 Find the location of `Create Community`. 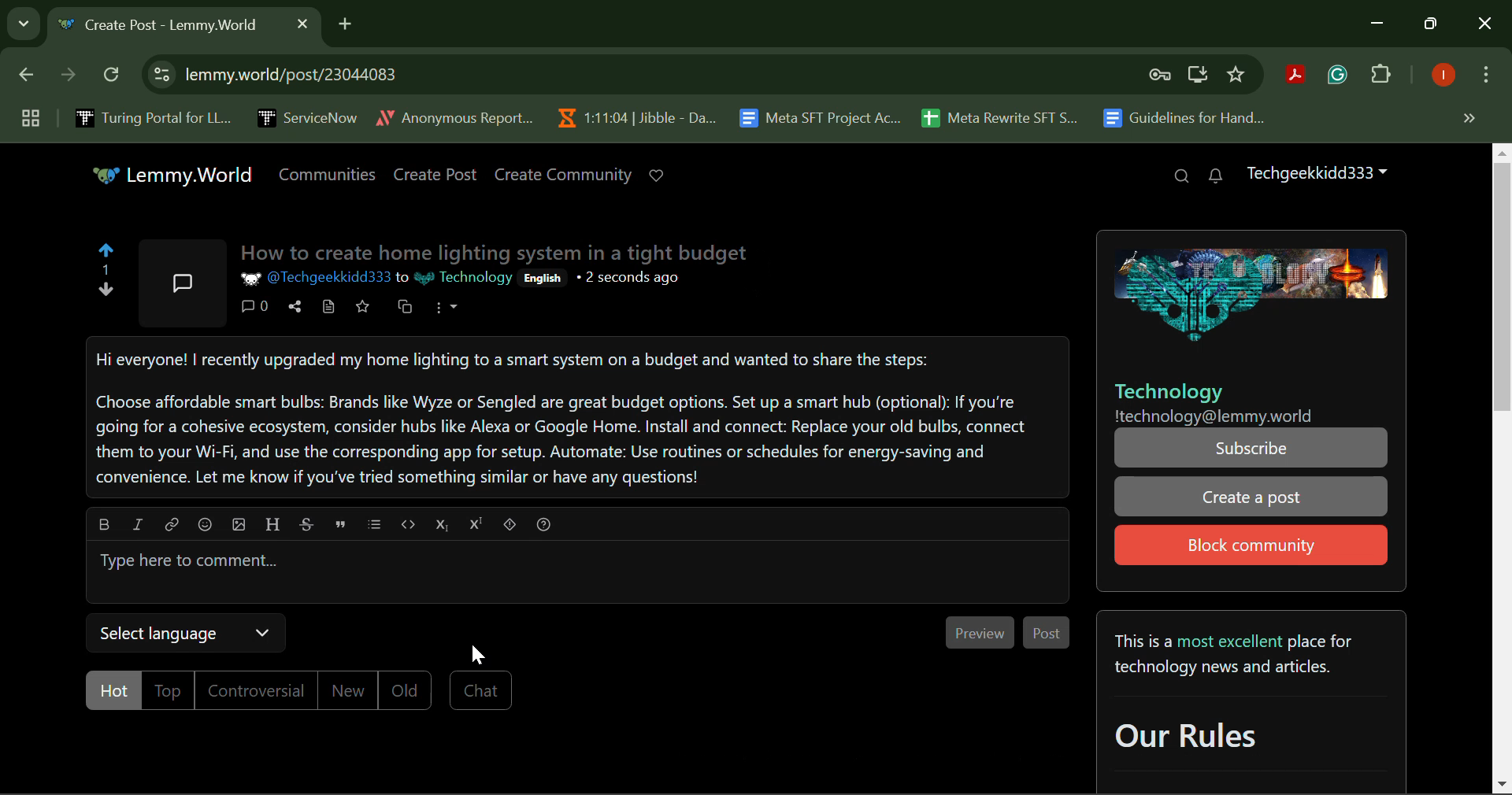

Create Community is located at coordinates (564, 174).